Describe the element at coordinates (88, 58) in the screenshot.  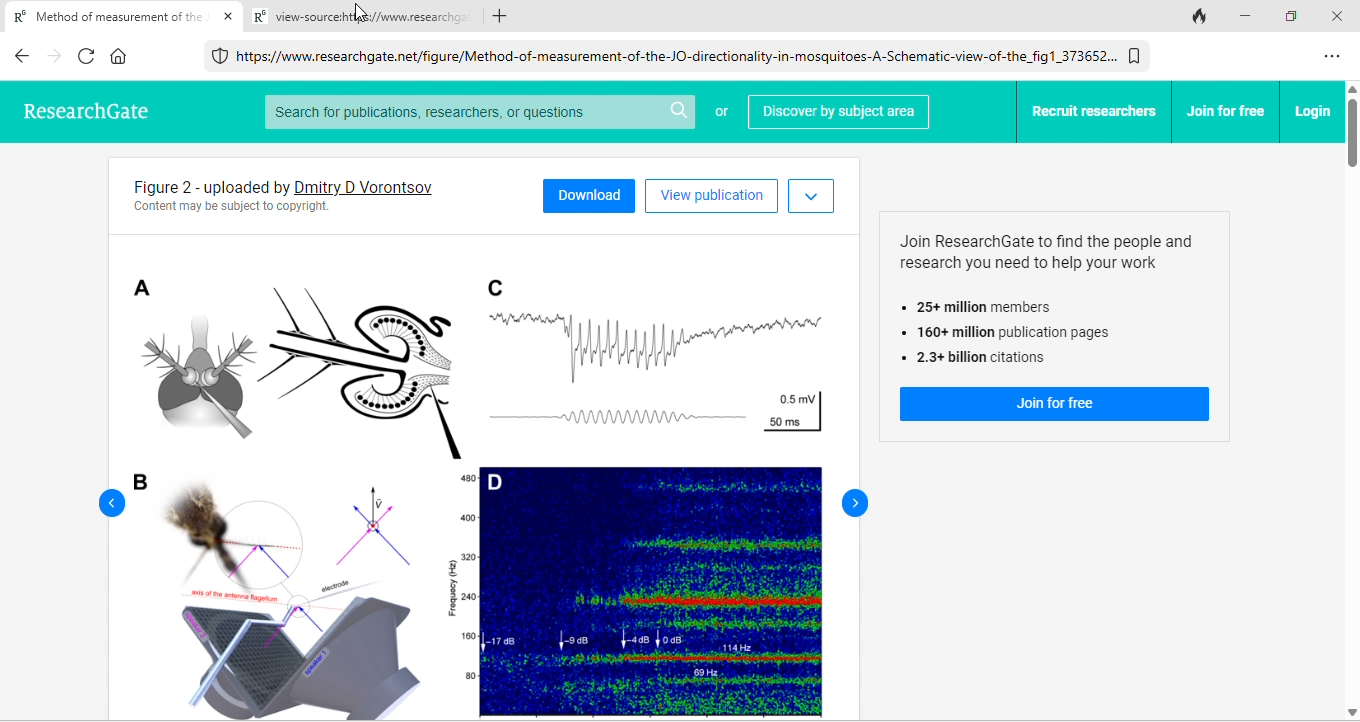
I see `reload` at that location.